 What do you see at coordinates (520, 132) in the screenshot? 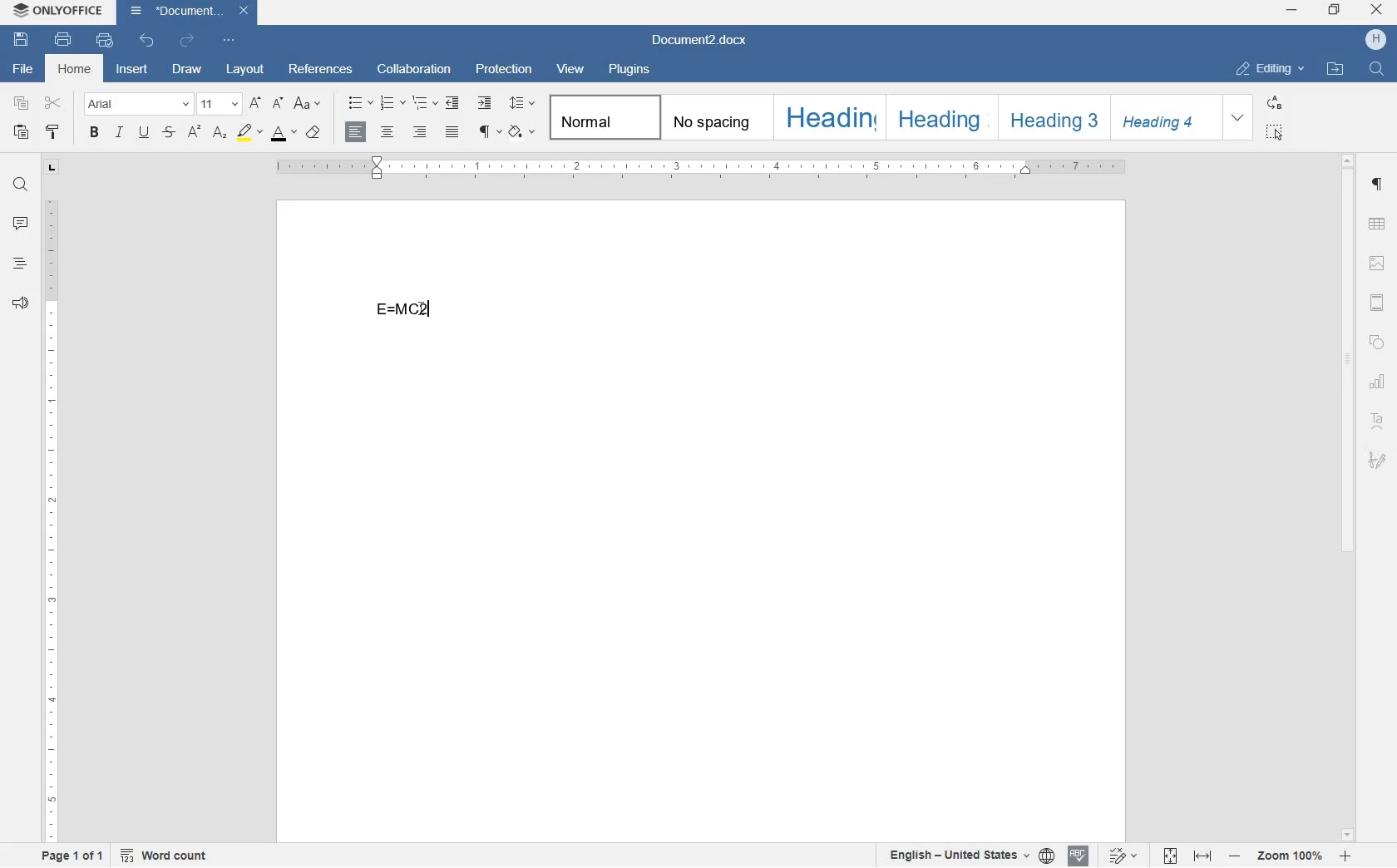
I see `shading` at bounding box center [520, 132].